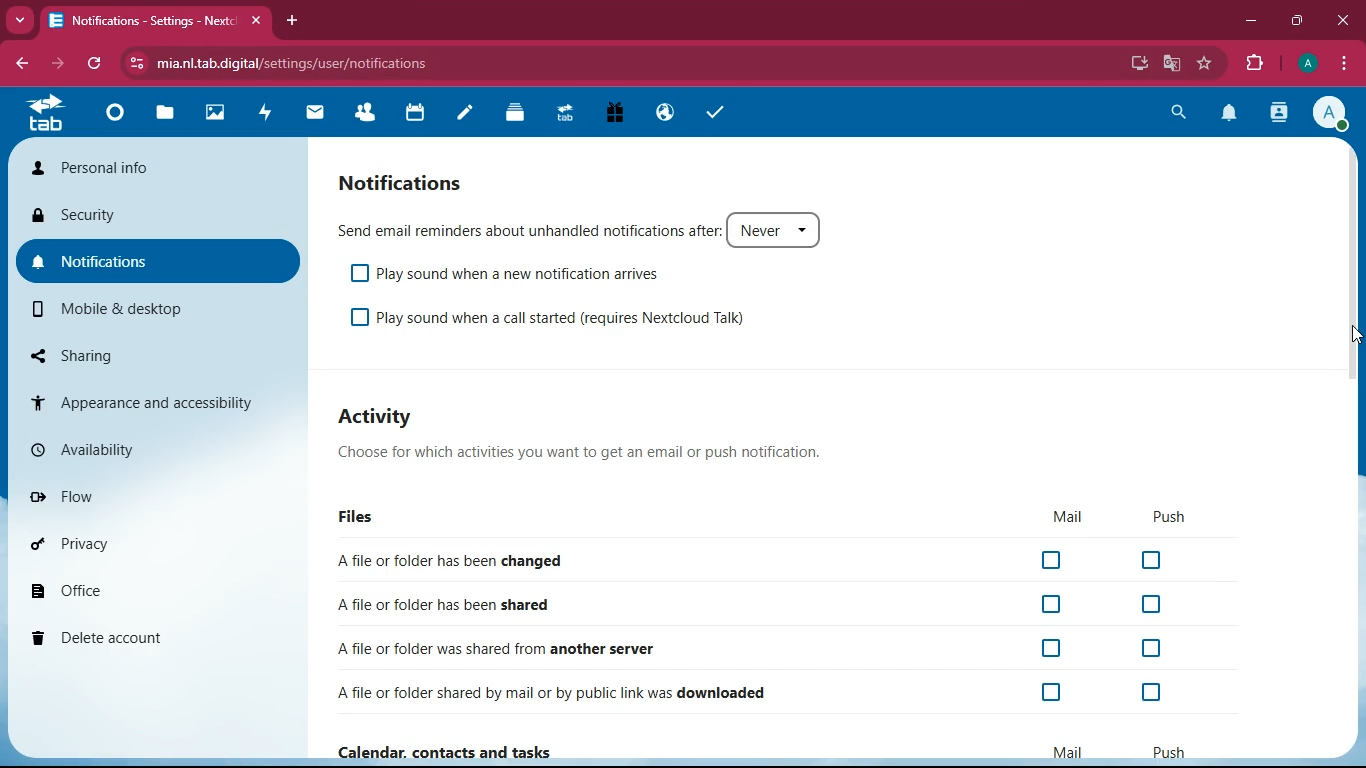 This screenshot has height=768, width=1366. Describe the element at coordinates (1066, 512) in the screenshot. I see `mail` at that location.